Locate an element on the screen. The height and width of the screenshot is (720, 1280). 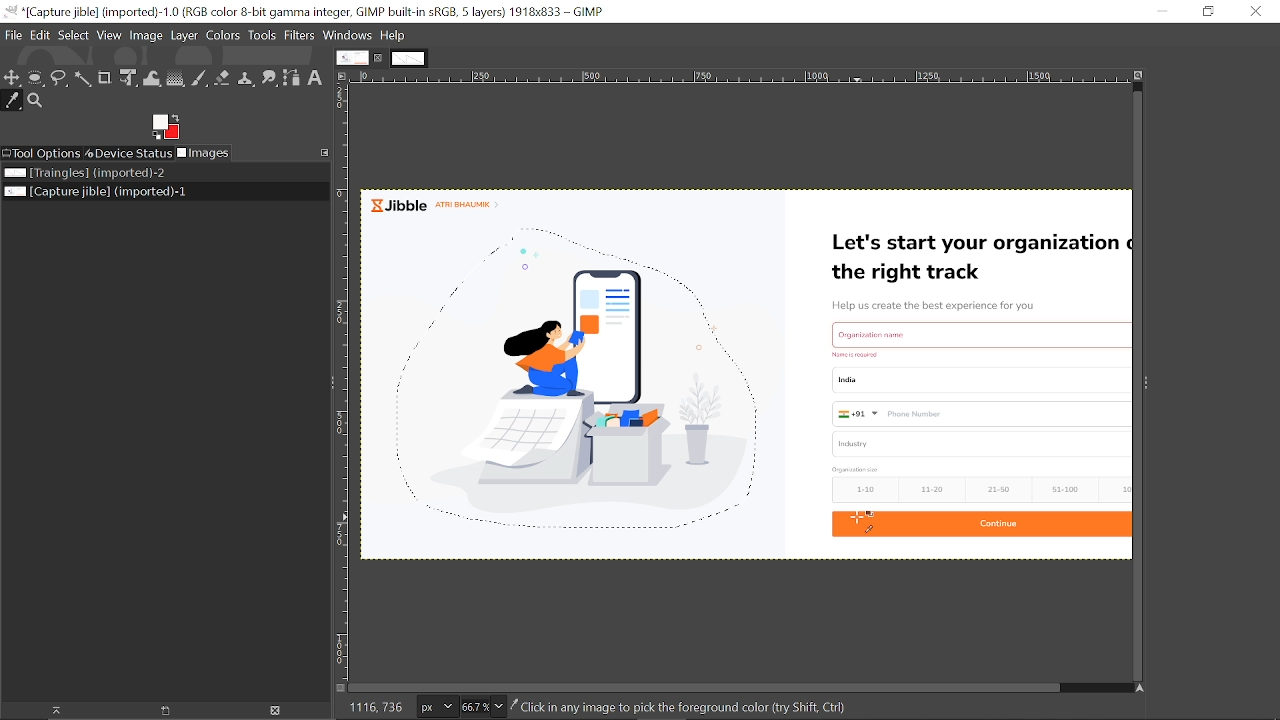
Crop tool is located at coordinates (105, 77).